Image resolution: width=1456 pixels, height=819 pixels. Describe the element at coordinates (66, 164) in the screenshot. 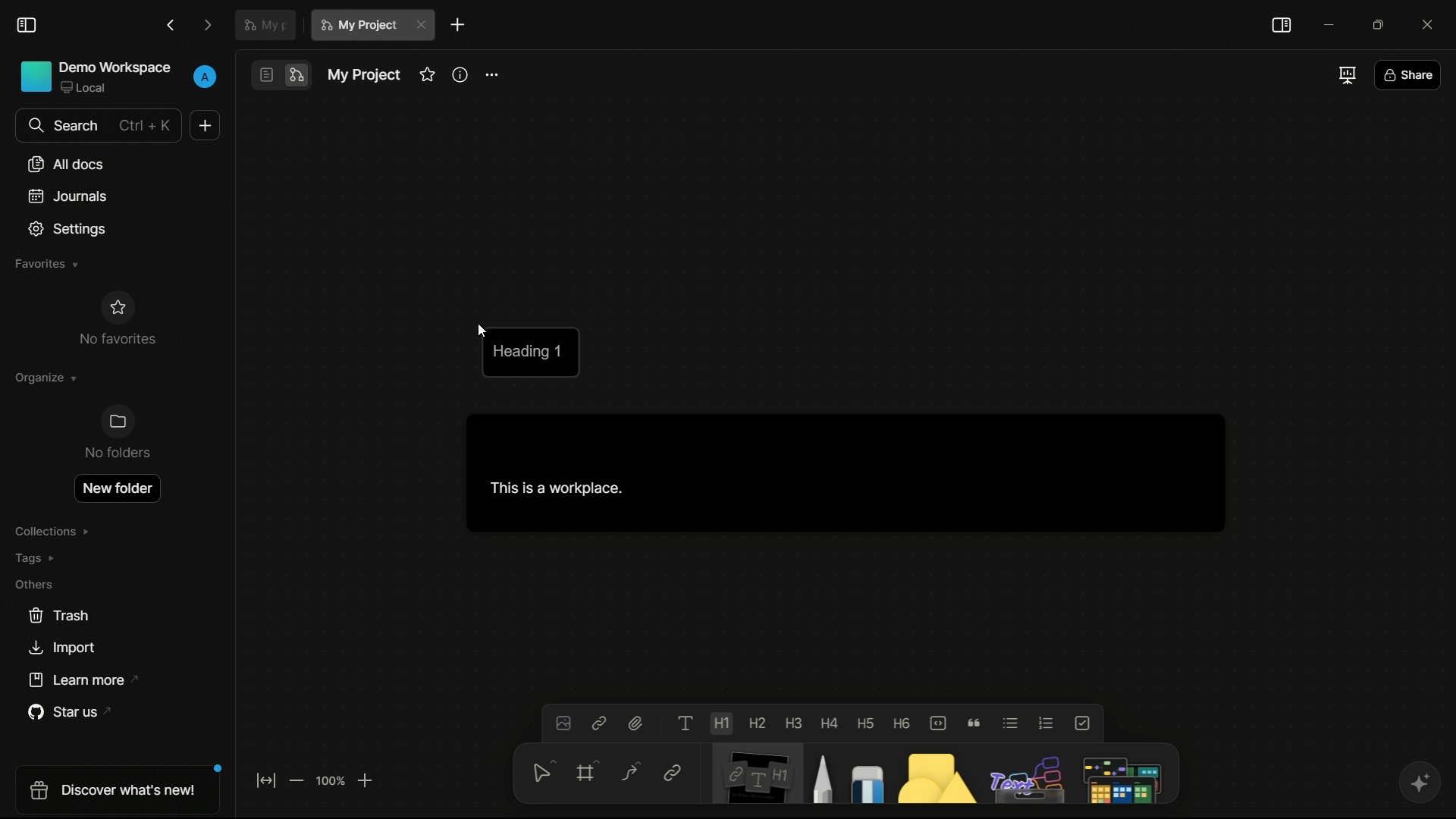

I see `all documents` at that location.